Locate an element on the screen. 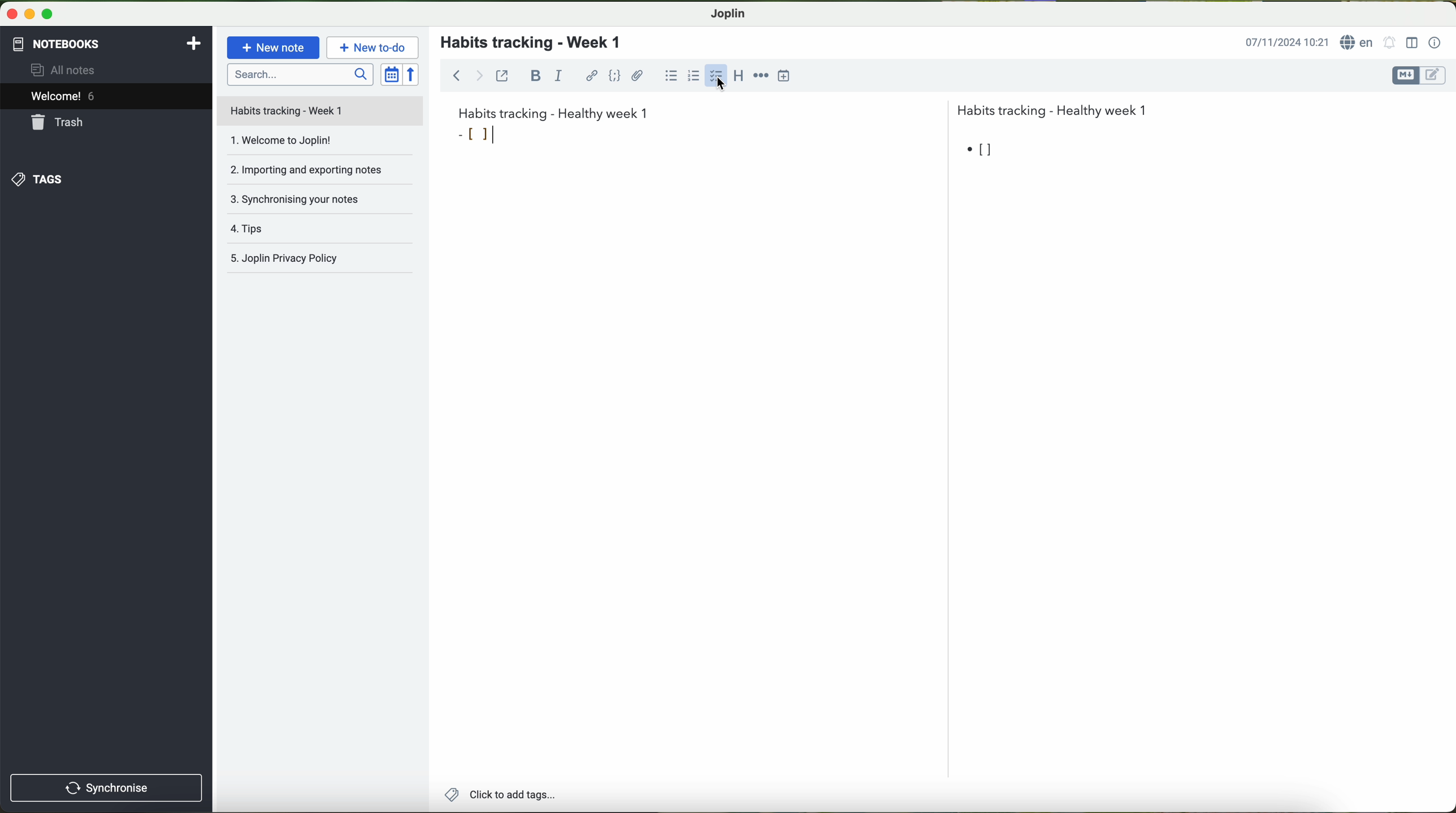 This screenshot has width=1456, height=813. attach file is located at coordinates (638, 75).